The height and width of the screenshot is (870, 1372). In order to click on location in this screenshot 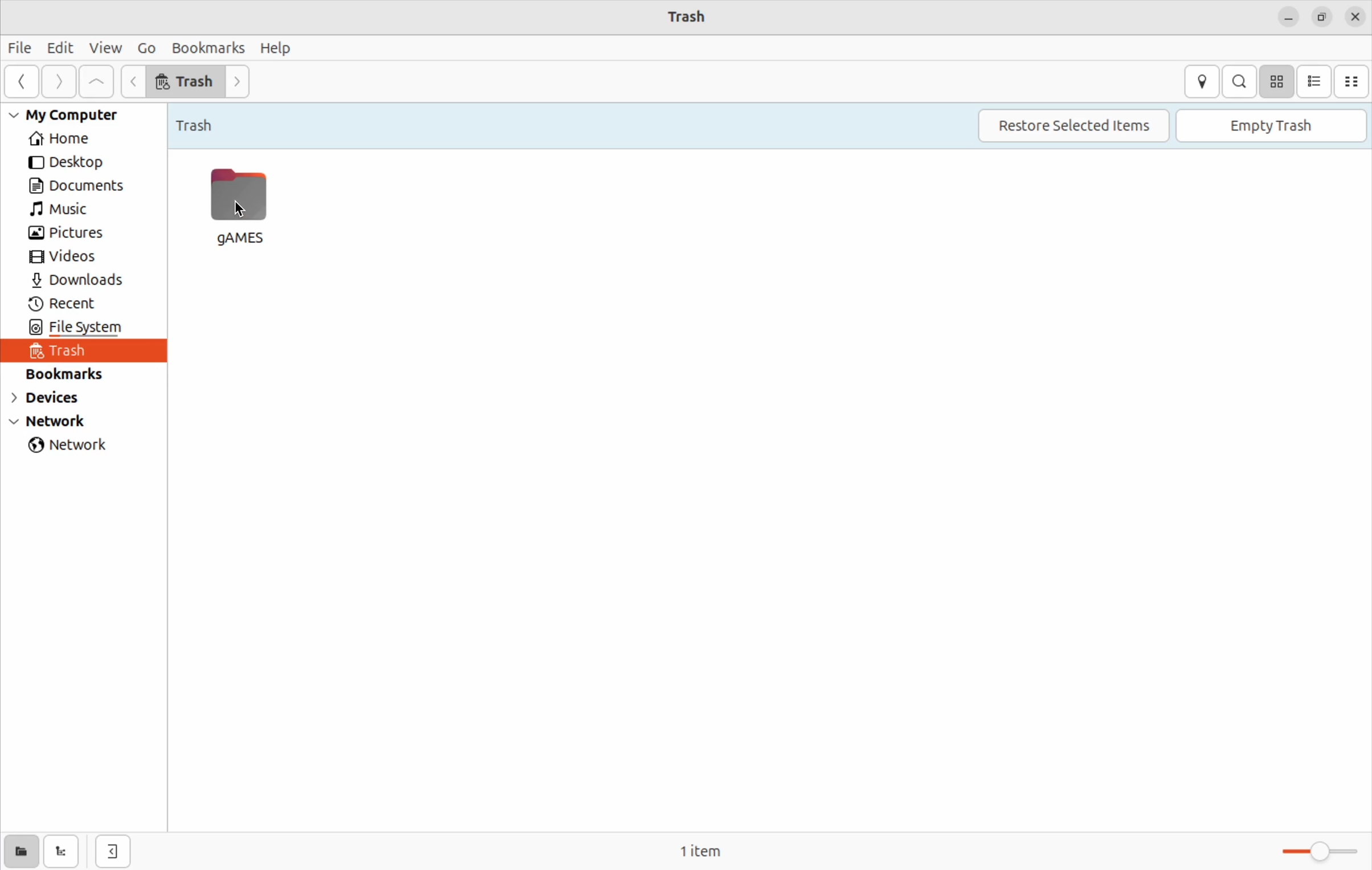, I will do `click(1201, 81)`.